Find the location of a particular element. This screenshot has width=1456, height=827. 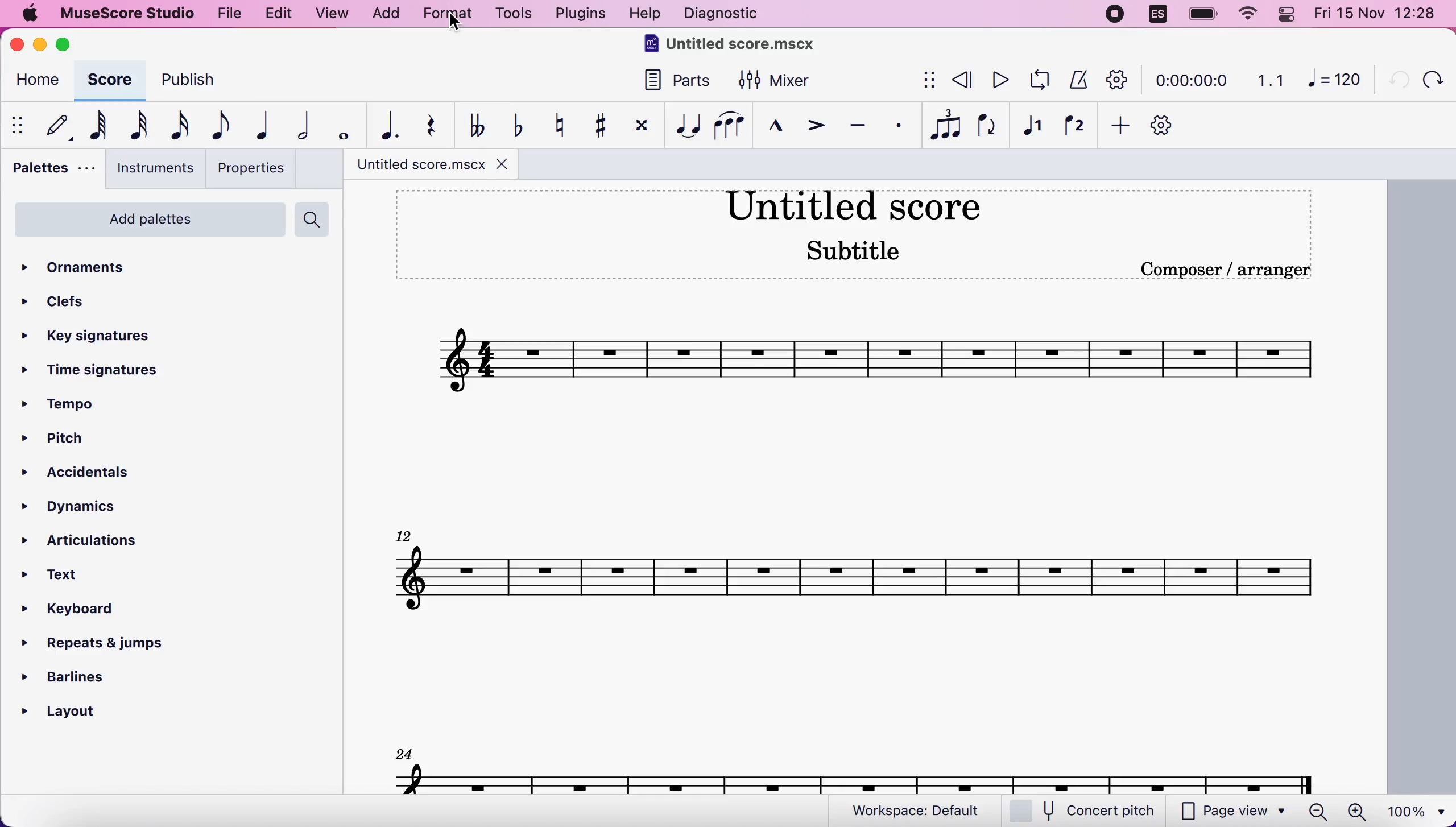

close is located at coordinates (503, 164).